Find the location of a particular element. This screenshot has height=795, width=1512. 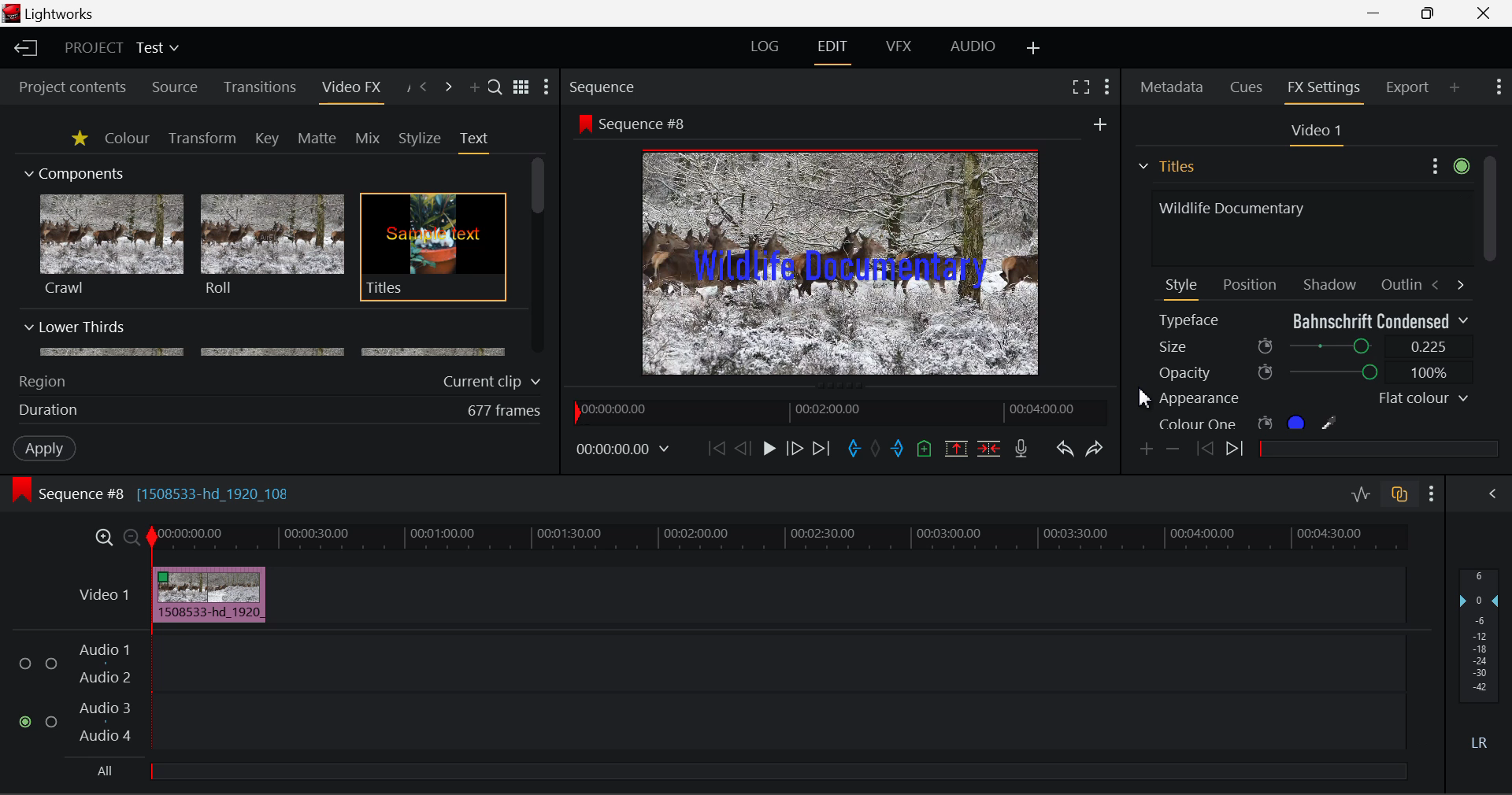

FX Settings Open is located at coordinates (1326, 90).